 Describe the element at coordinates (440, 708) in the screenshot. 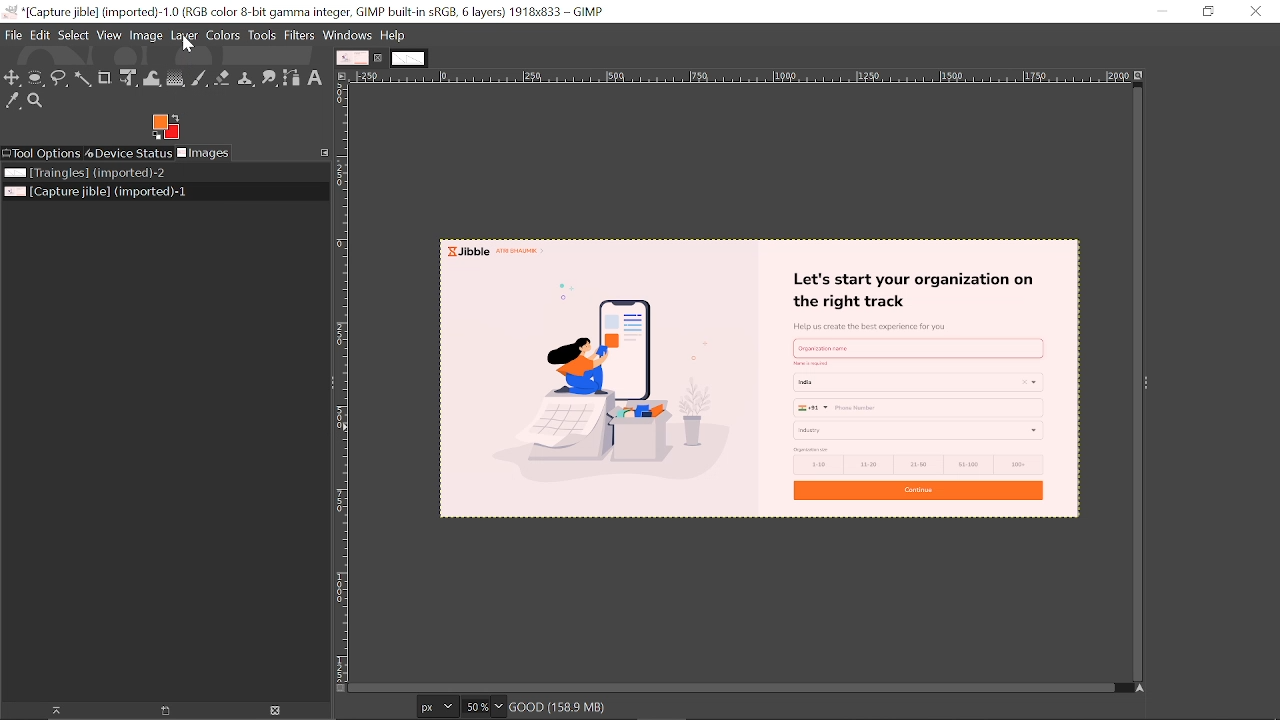

I see `Current image format` at that location.